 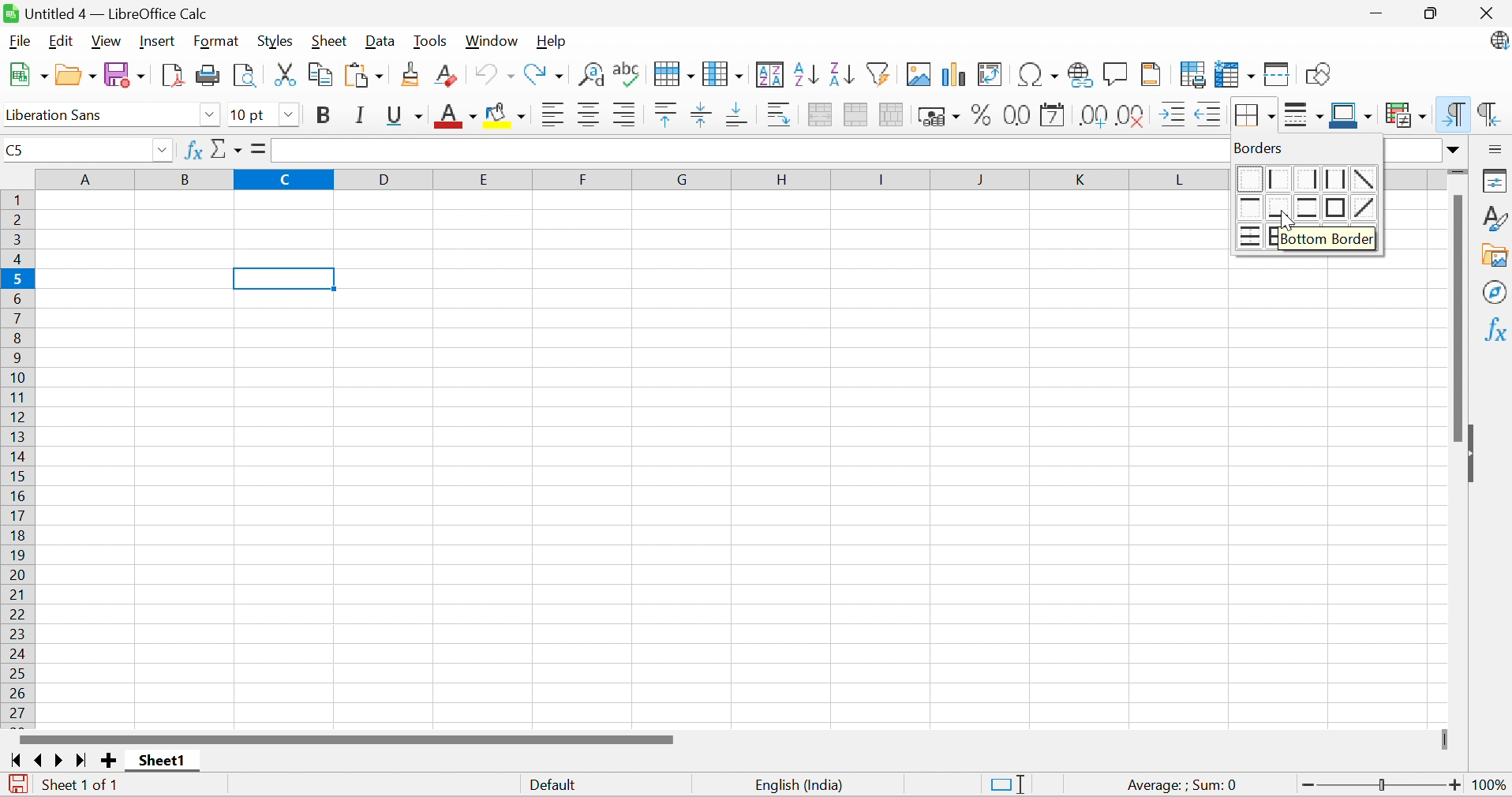 What do you see at coordinates (1253, 208) in the screenshot?
I see `Top border` at bounding box center [1253, 208].